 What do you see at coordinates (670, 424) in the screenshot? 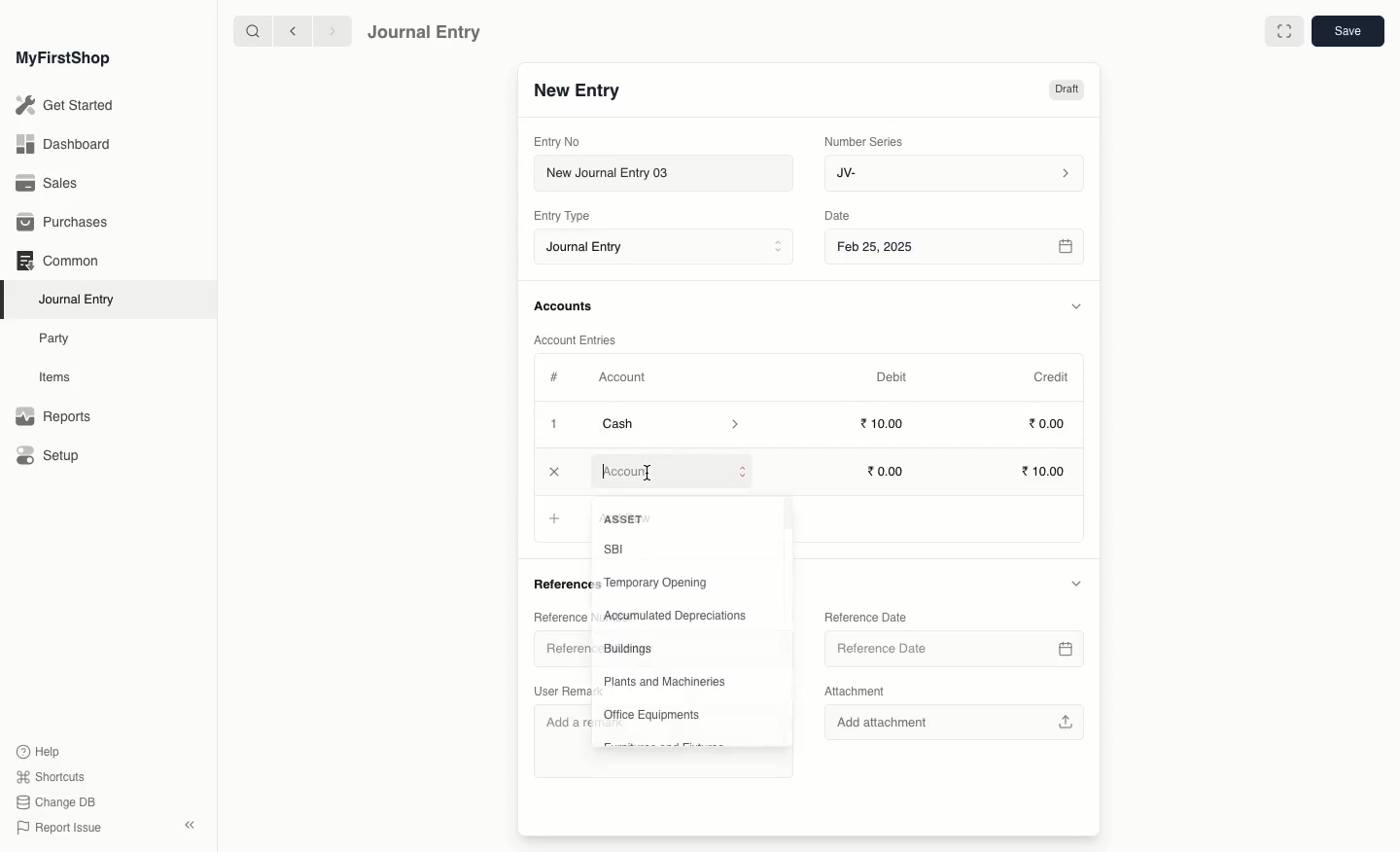
I see `Cash` at bounding box center [670, 424].